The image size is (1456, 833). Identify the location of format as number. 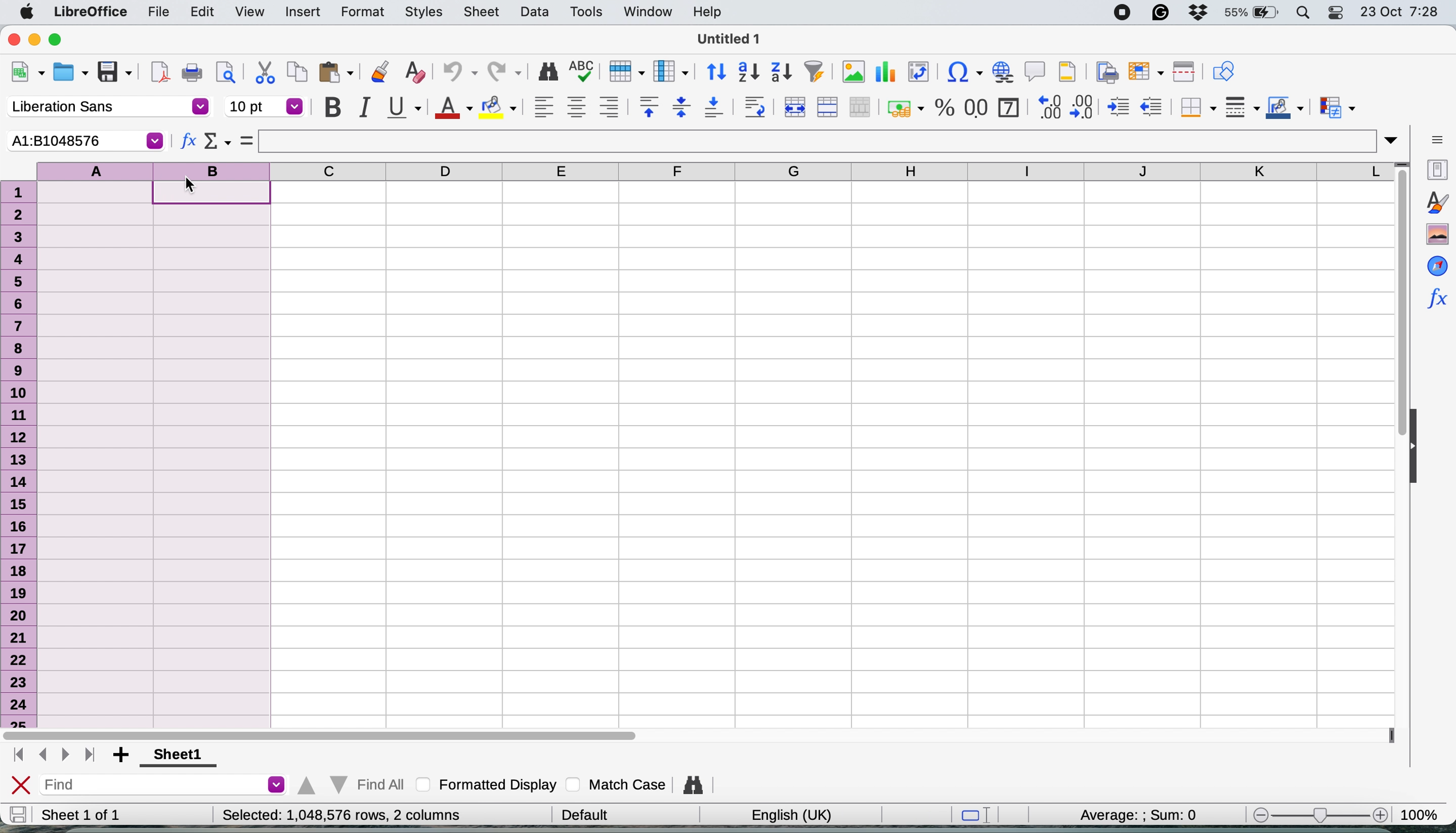
(975, 108).